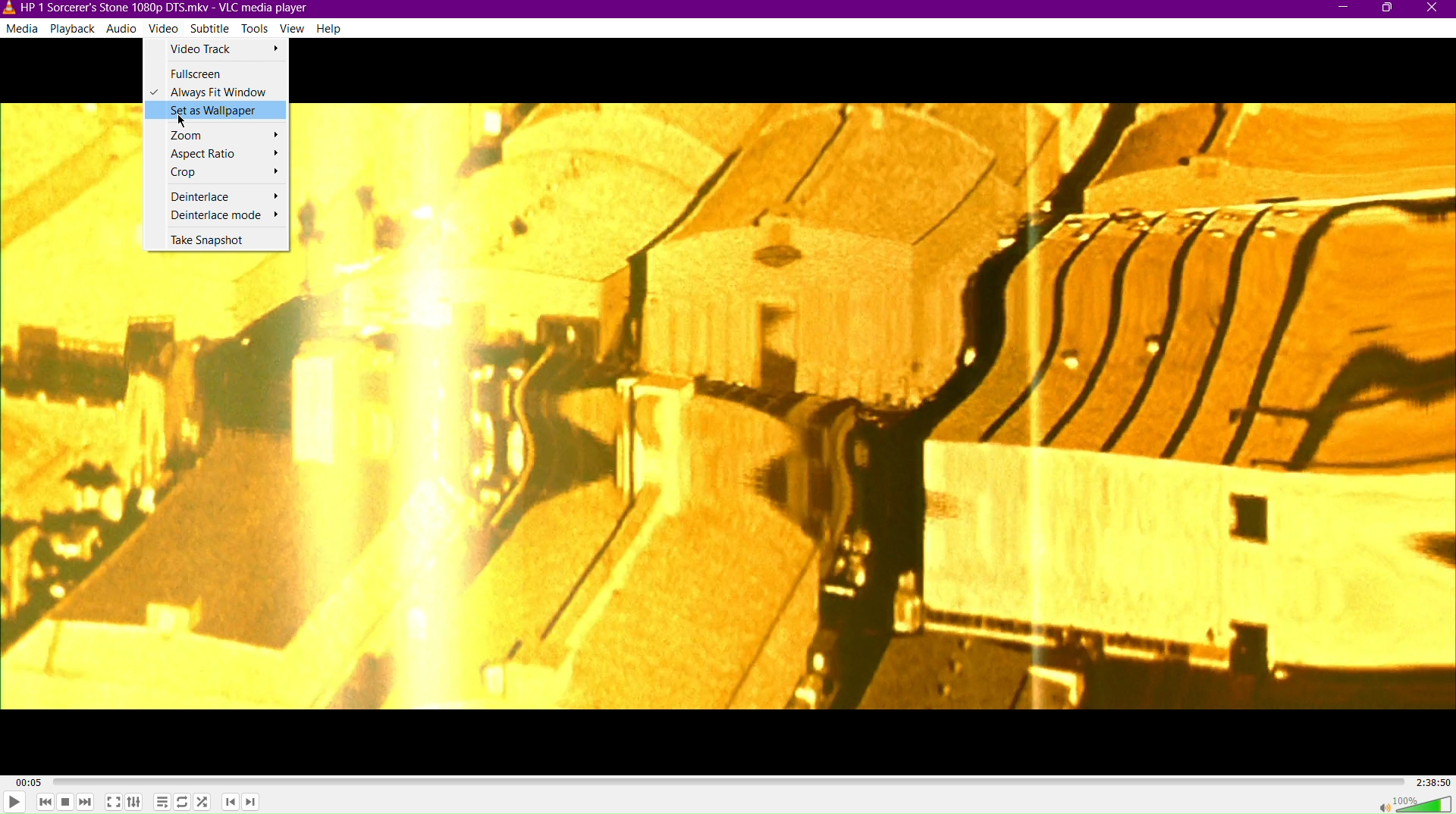  I want to click on Current timestamp, so click(20, 778).